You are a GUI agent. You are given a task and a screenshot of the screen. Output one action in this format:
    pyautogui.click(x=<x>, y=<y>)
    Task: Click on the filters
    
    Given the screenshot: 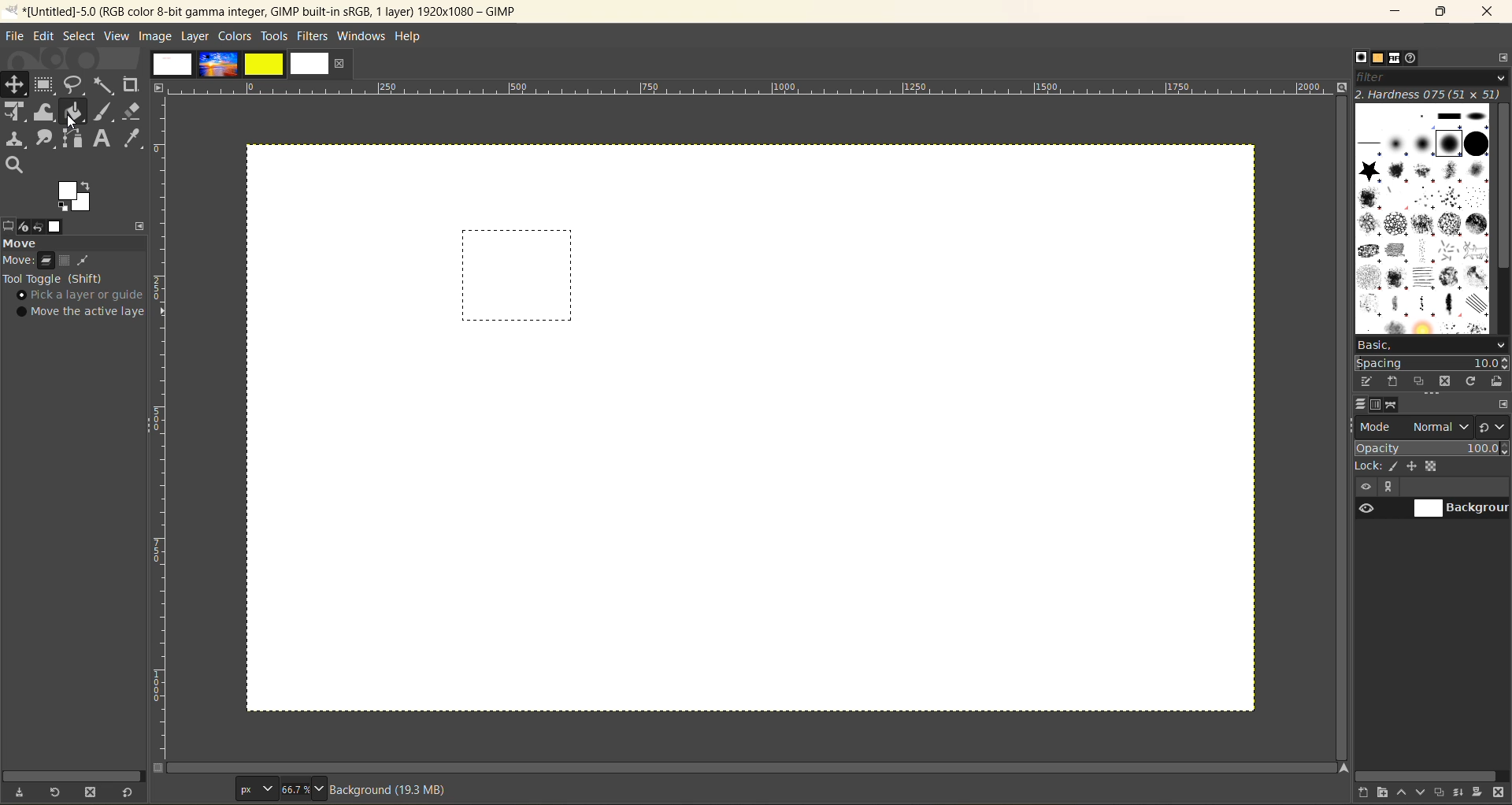 What is the action you would take?
    pyautogui.click(x=313, y=36)
    